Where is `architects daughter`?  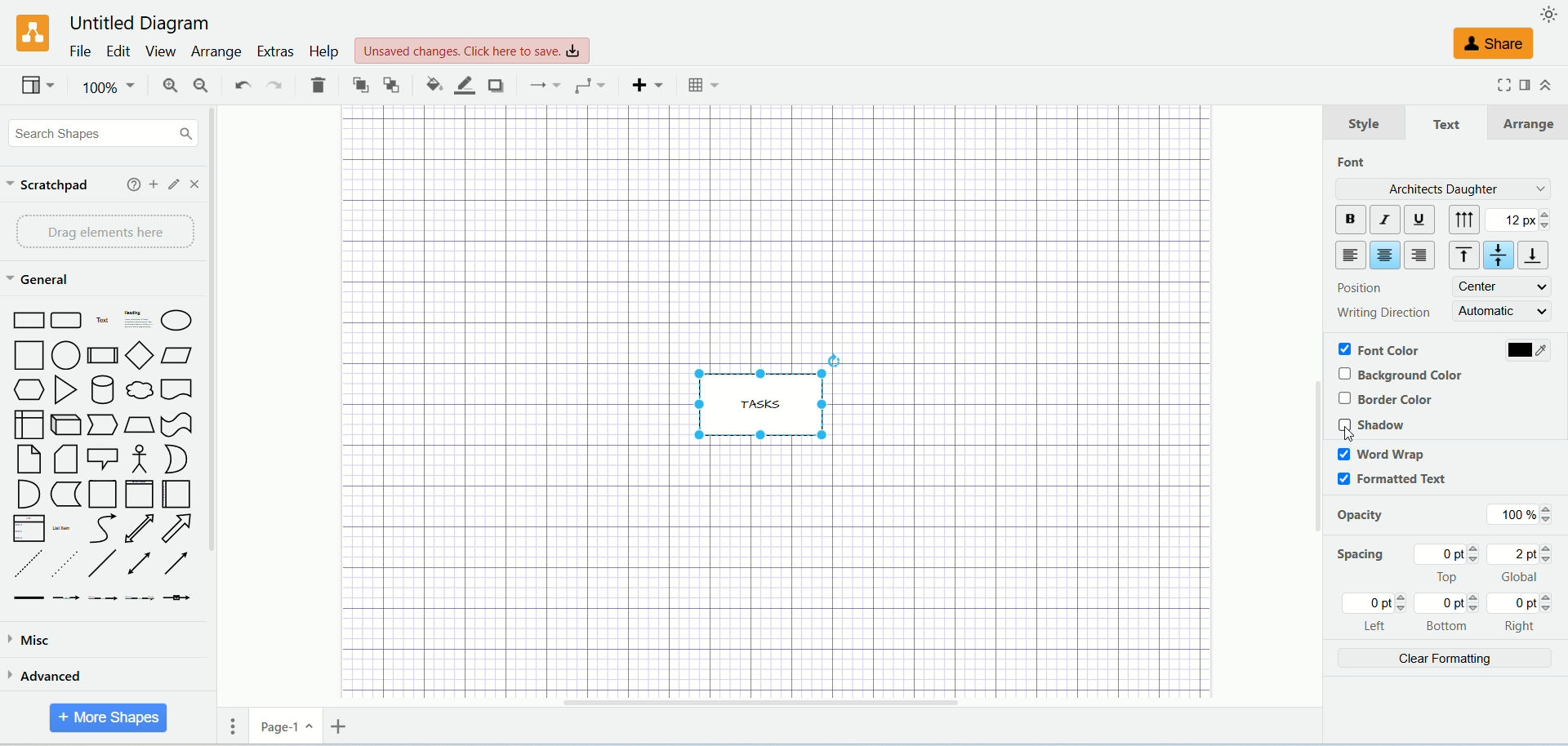 architects daughter is located at coordinates (1441, 188).